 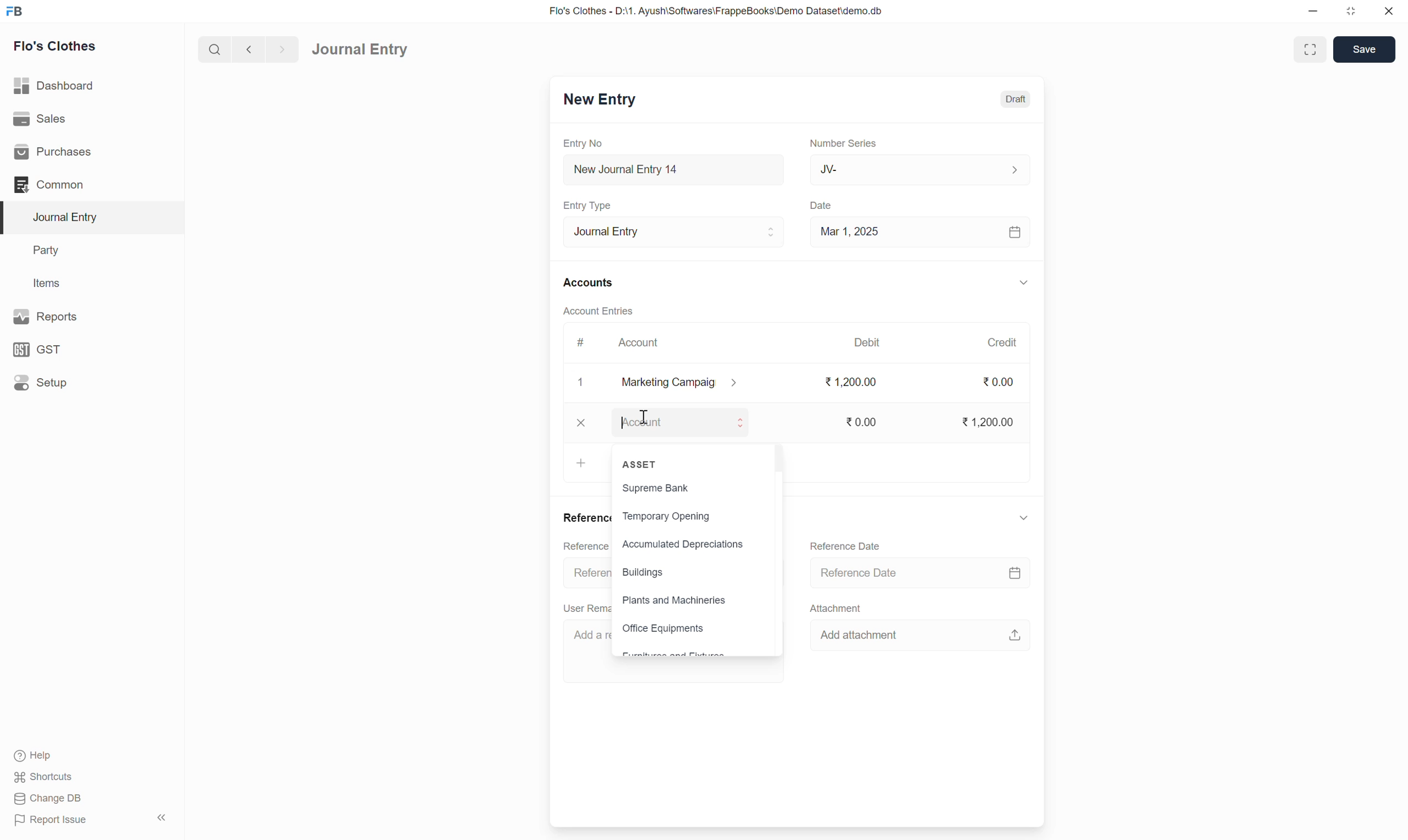 I want to click on Referen, so click(x=590, y=573).